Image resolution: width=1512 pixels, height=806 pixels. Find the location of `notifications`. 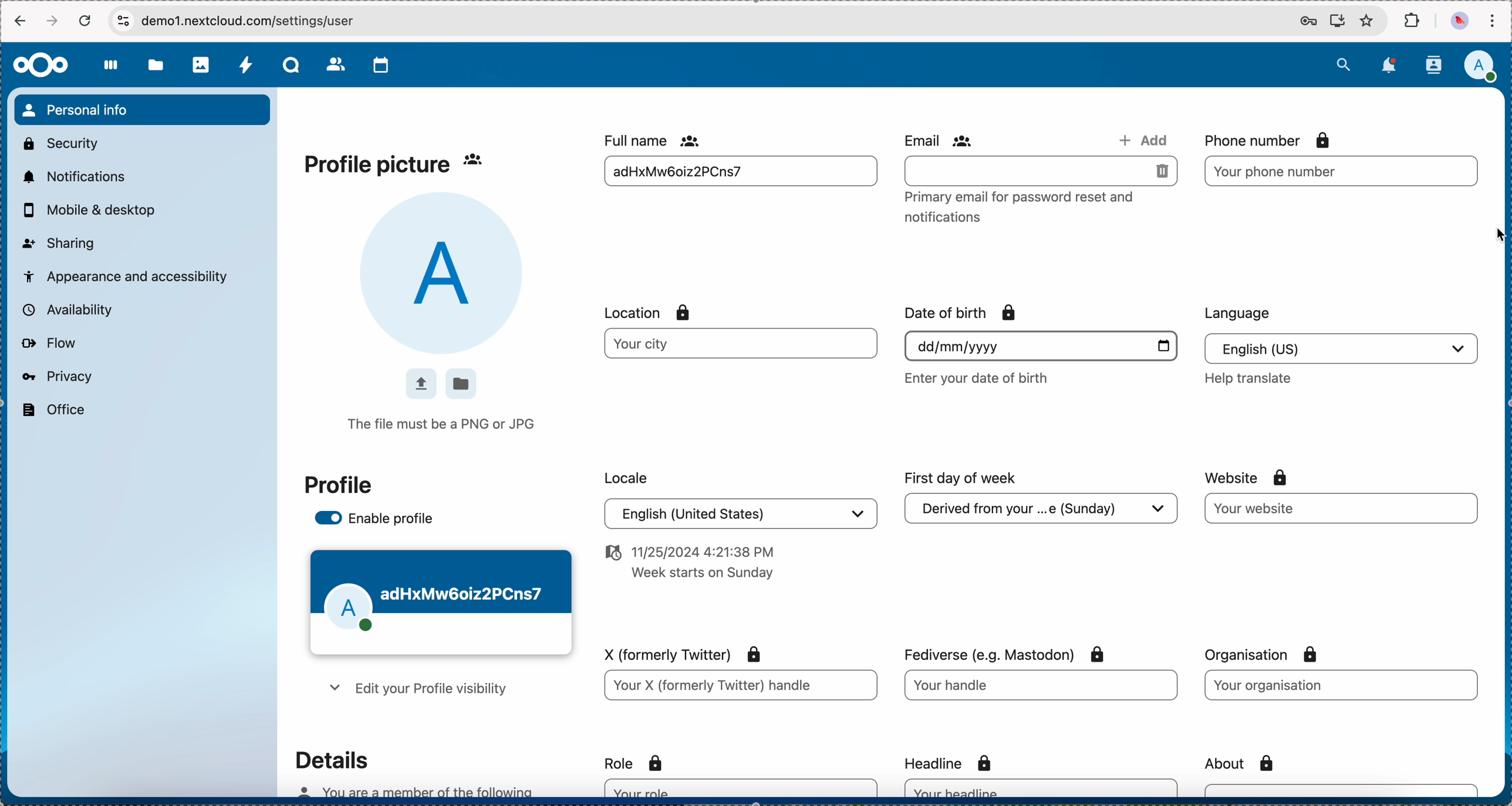

notifications is located at coordinates (1391, 65).